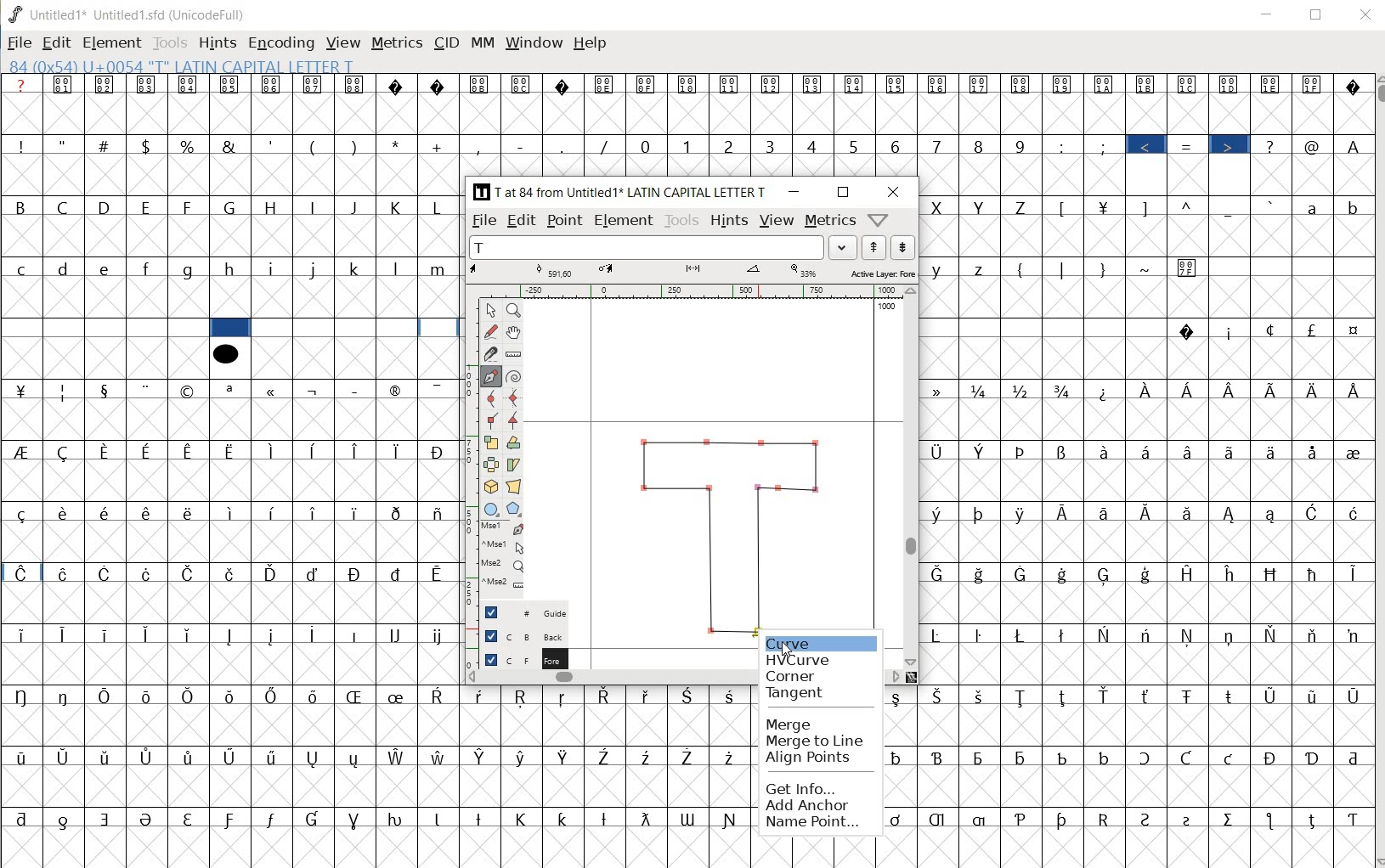  I want to click on edit, so click(523, 219).